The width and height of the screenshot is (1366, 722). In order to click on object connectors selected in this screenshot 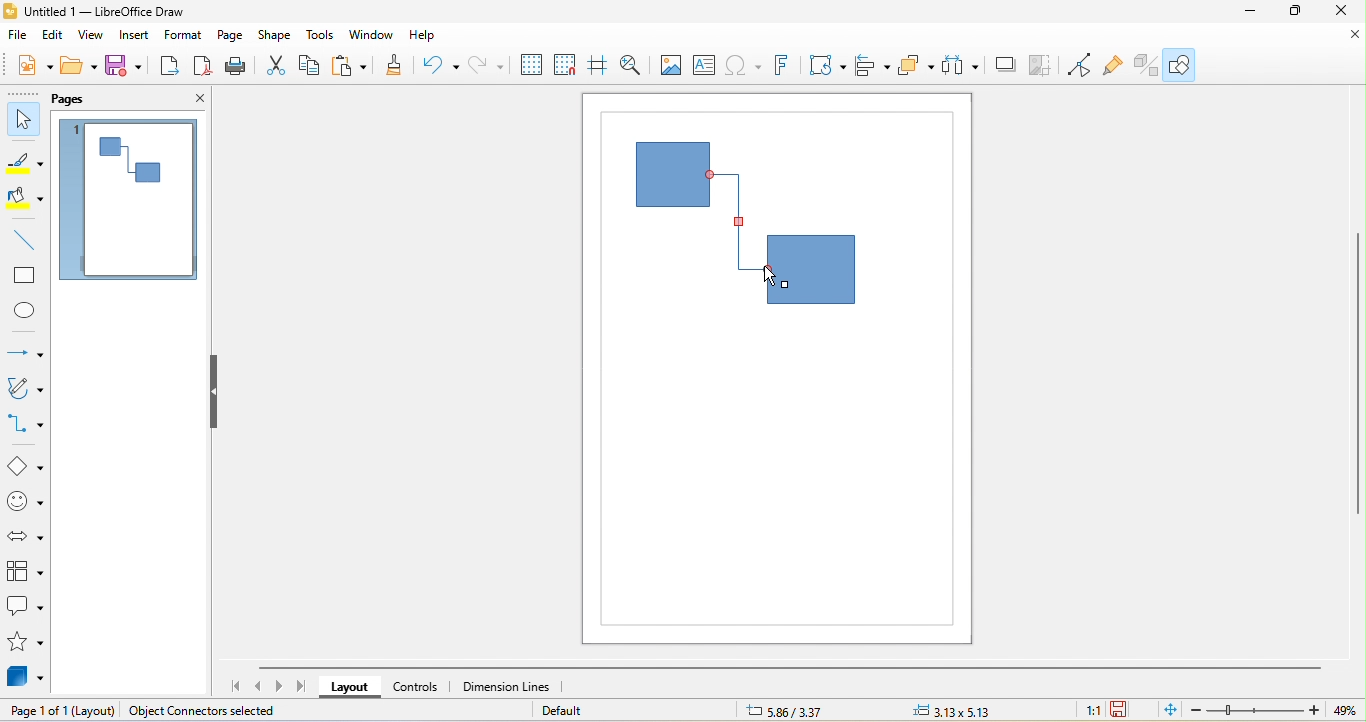, I will do `click(216, 712)`.